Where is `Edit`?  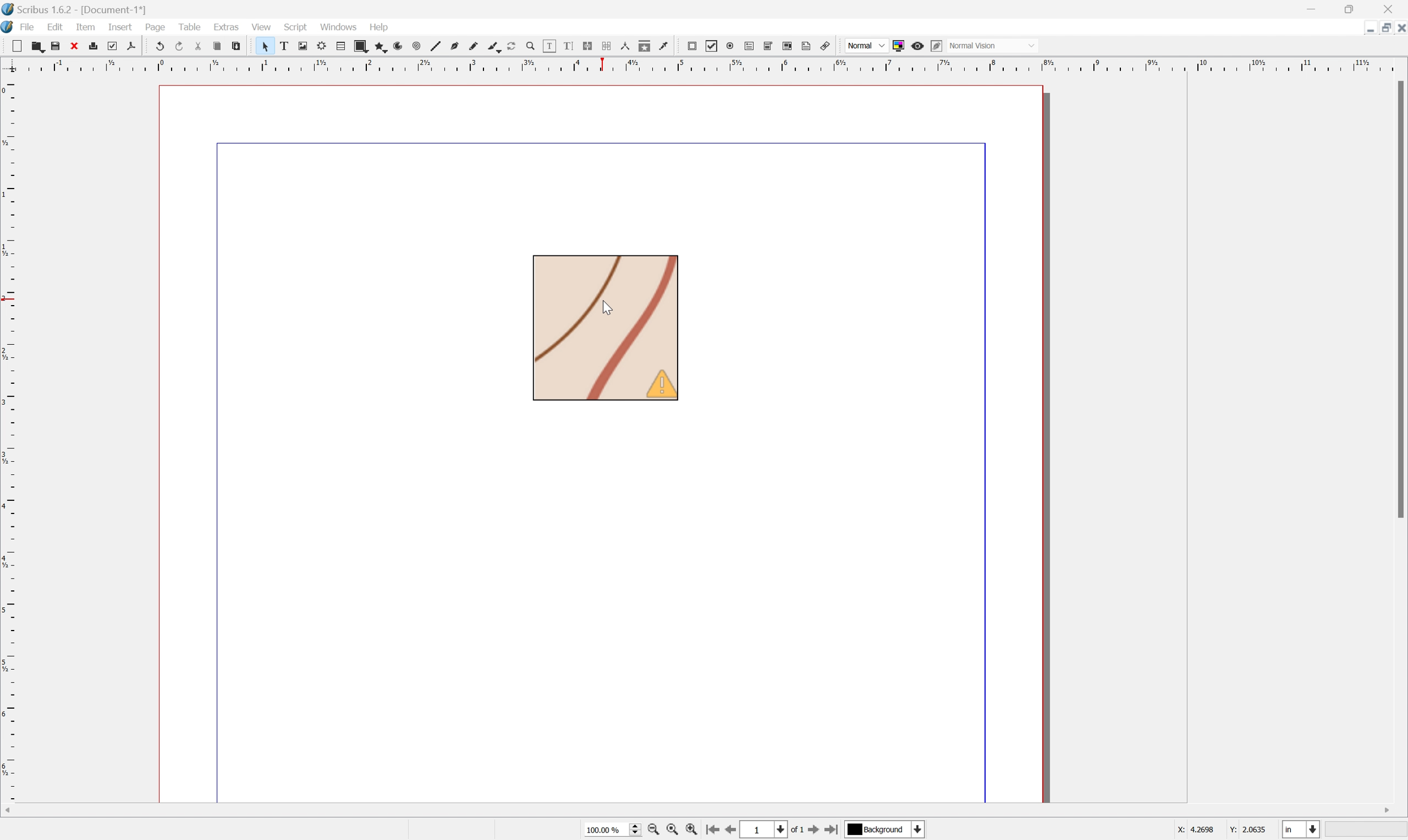
Edit is located at coordinates (56, 27).